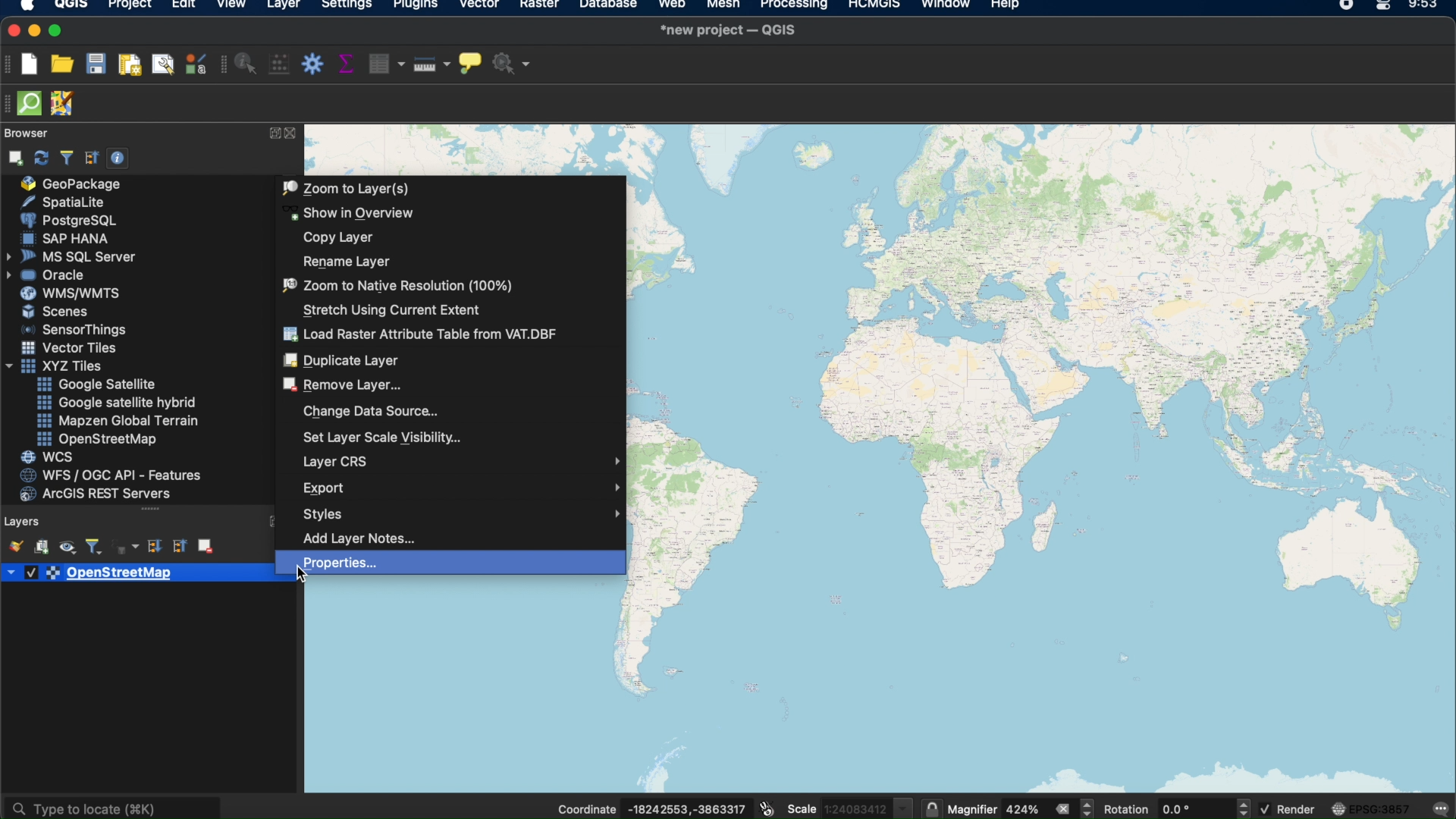  What do you see at coordinates (394, 309) in the screenshot?
I see `stretch using current extent` at bounding box center [394, 309].